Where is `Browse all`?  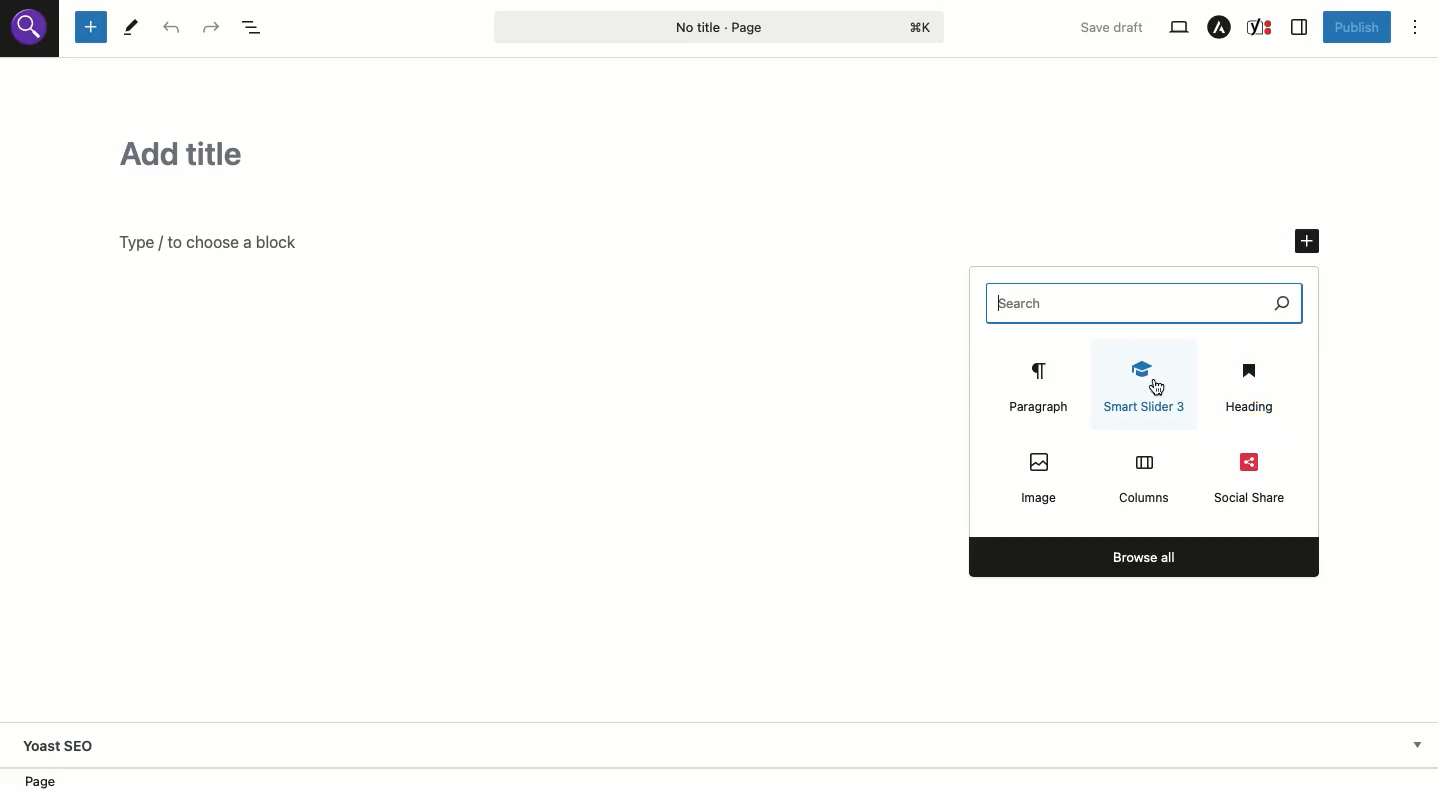
Browse all is located at coordinates (1144, 557).